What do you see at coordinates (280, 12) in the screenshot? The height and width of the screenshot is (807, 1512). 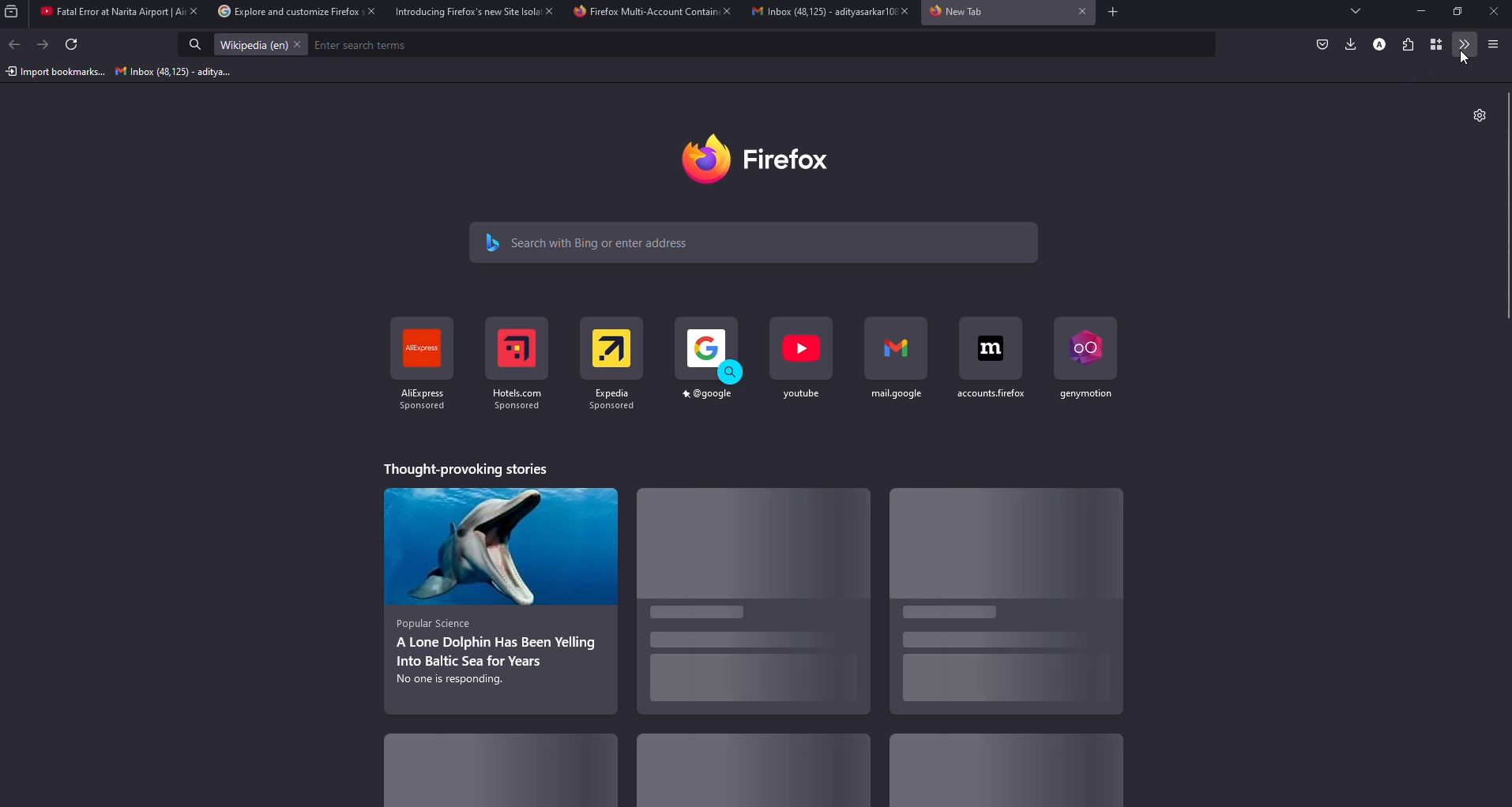 I see `tab` at bounding box center [280, 12].